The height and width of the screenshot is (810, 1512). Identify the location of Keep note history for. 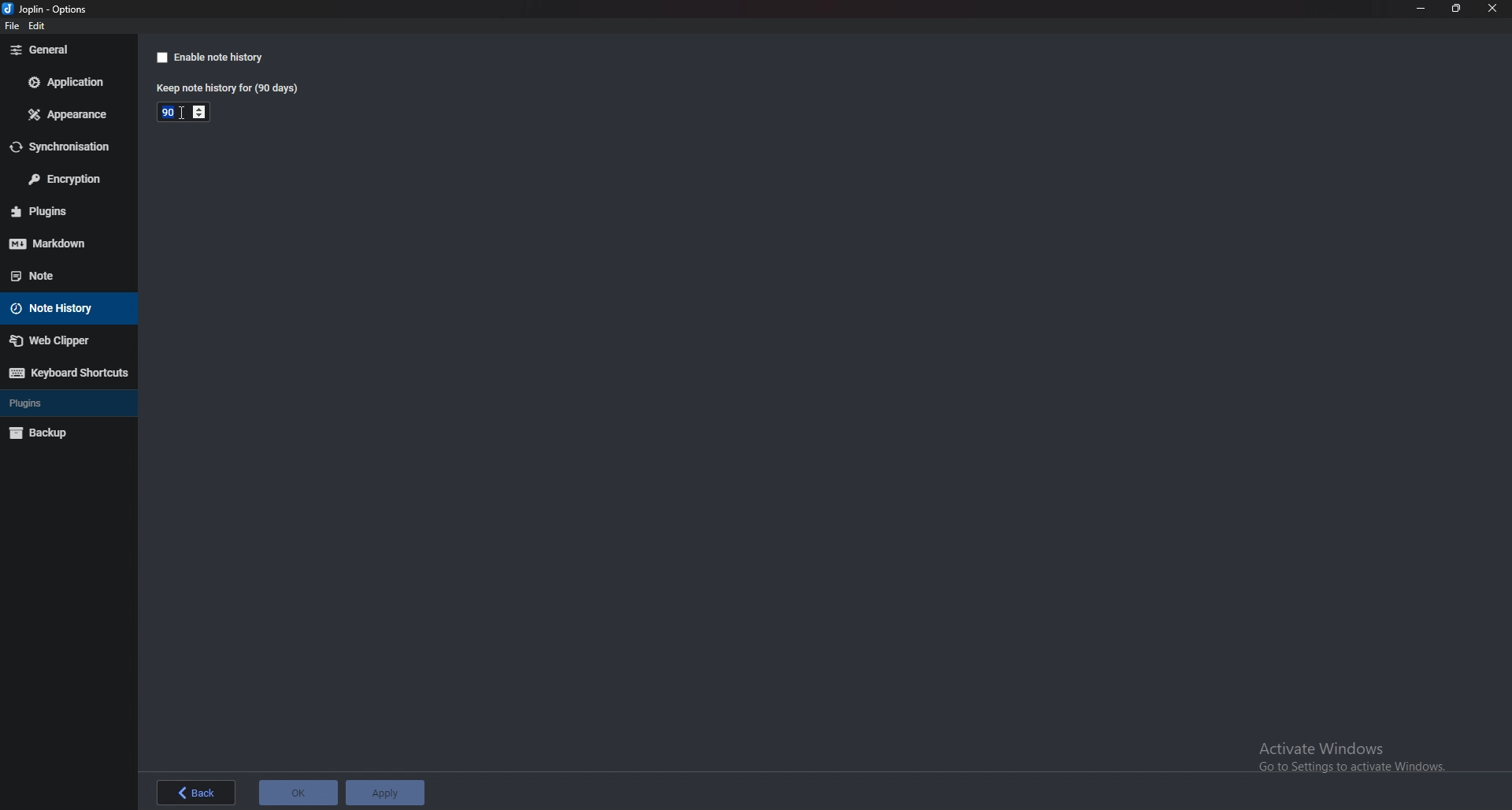
(225, 89).